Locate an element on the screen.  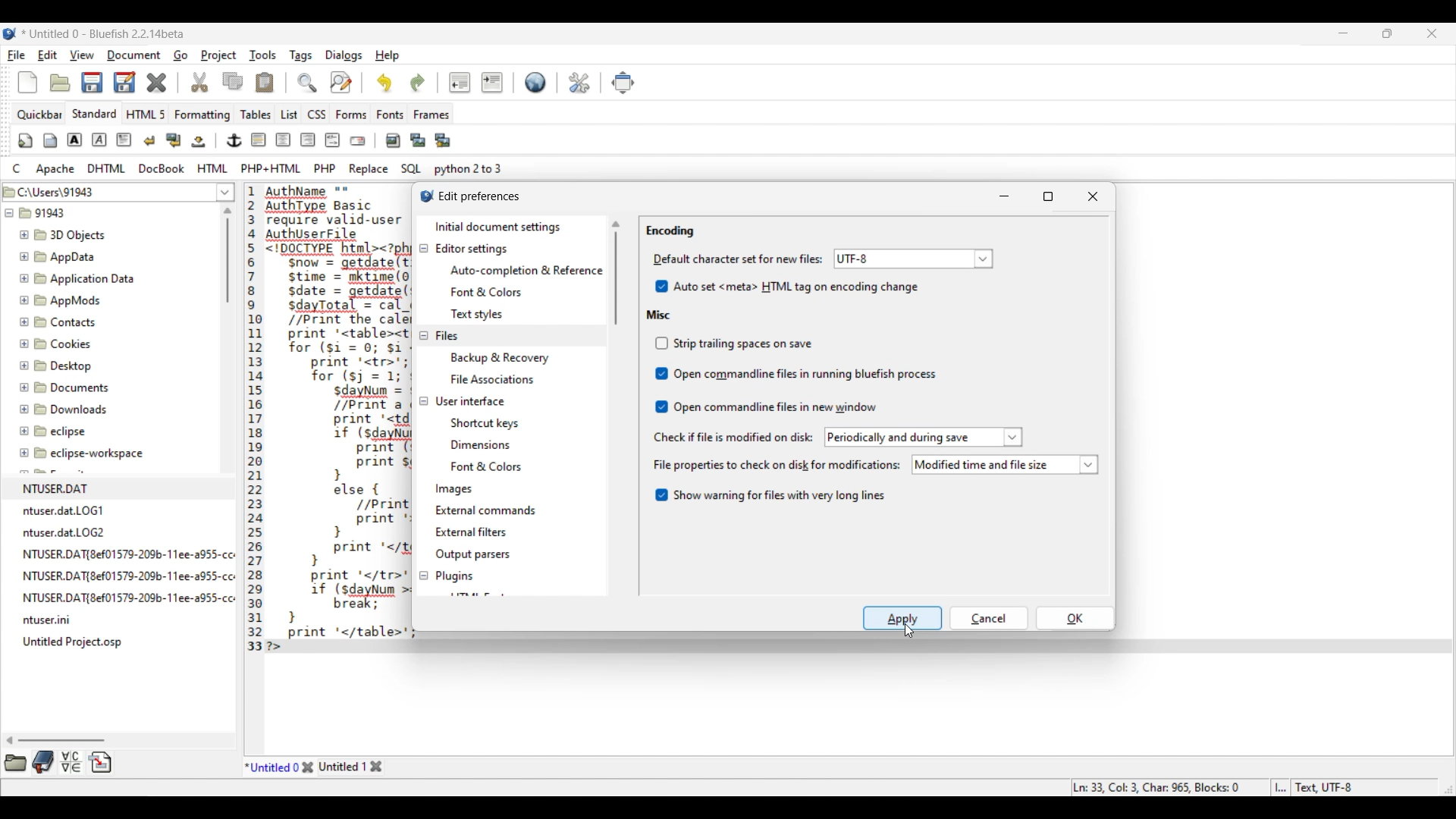
OK is located at coordinates (990, 619).